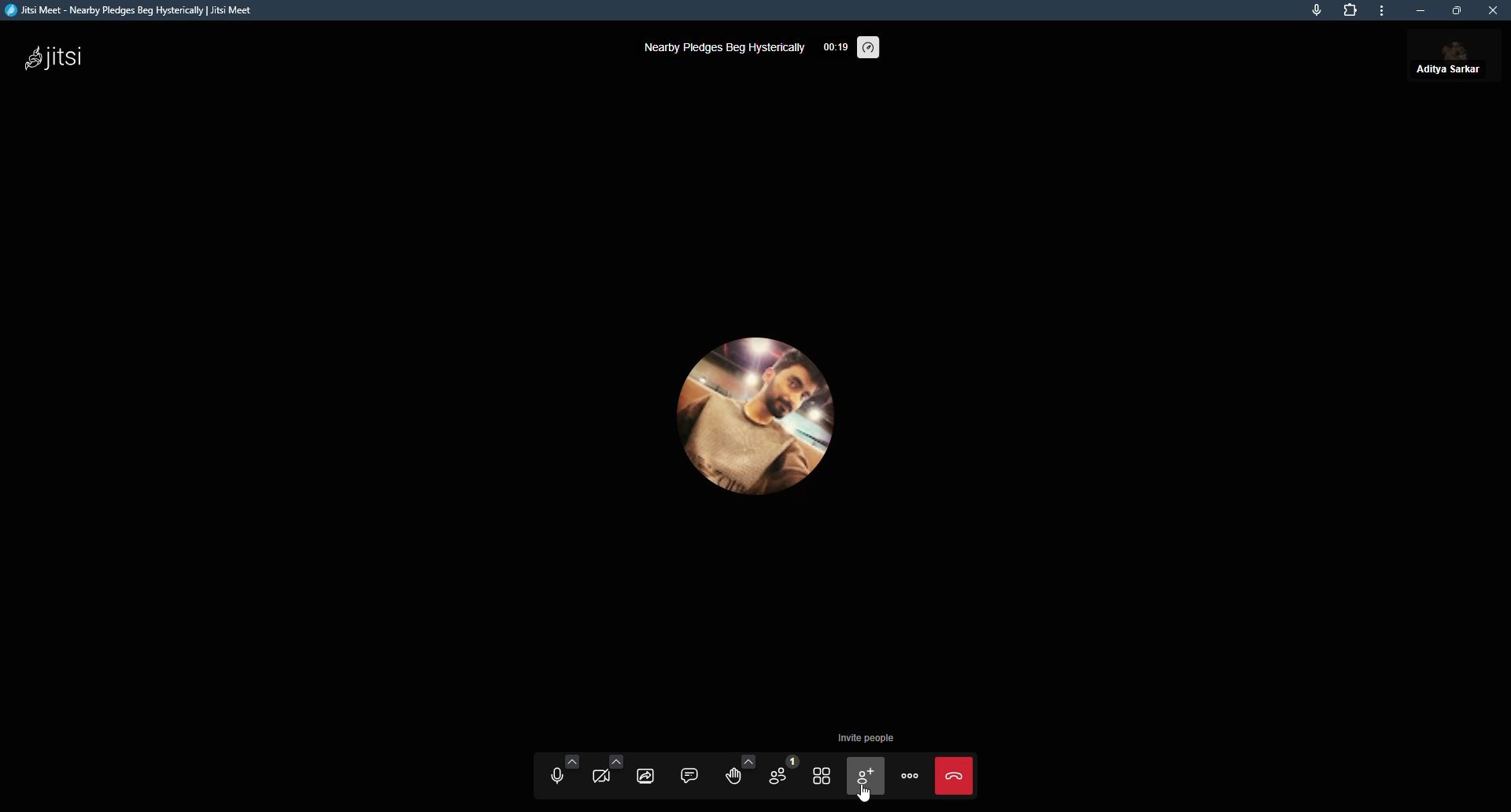  What do you see at coordinates (870, 47) in the screenshot?
I see `performance setting` at bounding box center [870, 47].